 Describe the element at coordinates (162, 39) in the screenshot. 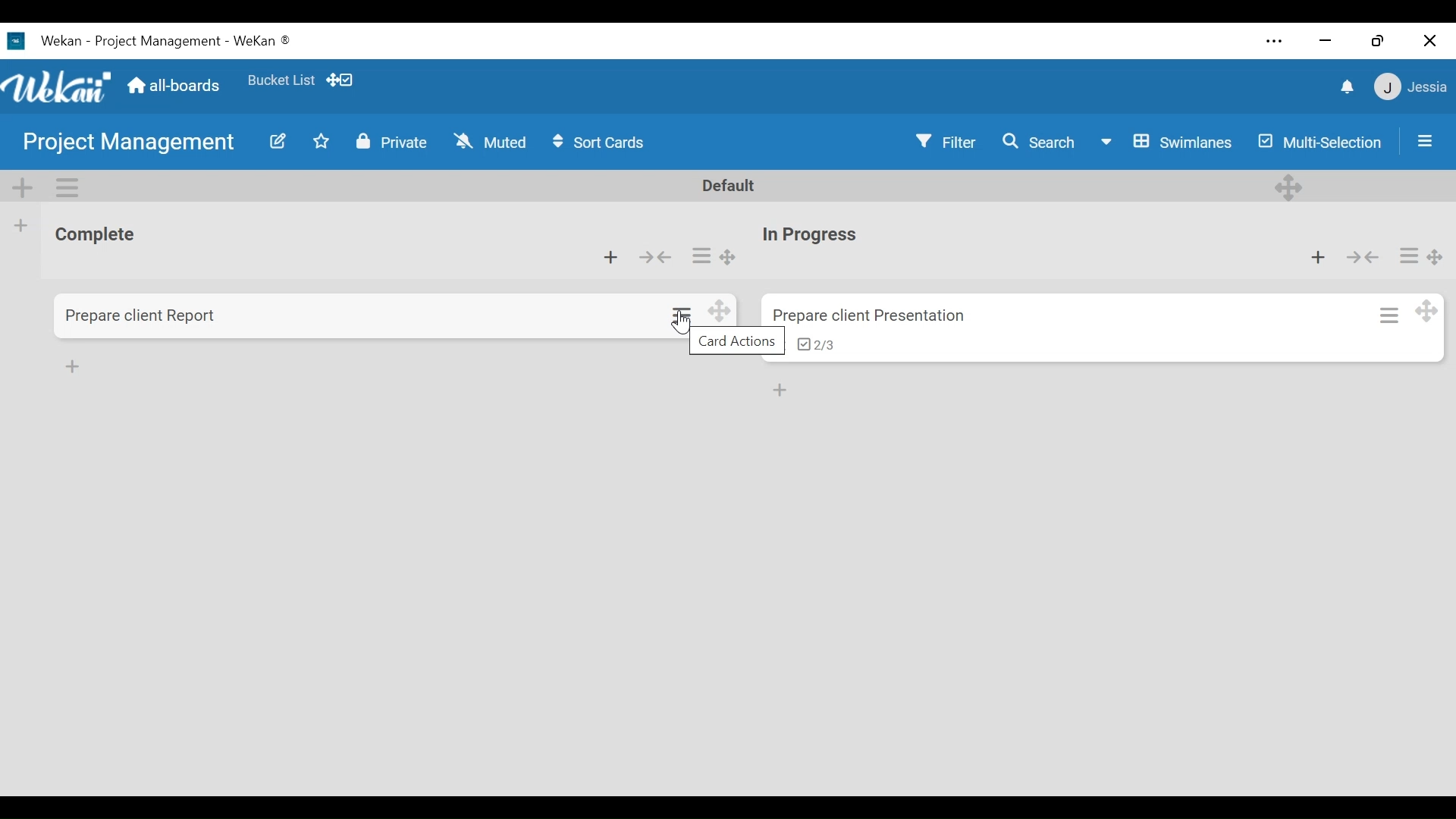

I see `Wekan Desktop Icon` at that location.